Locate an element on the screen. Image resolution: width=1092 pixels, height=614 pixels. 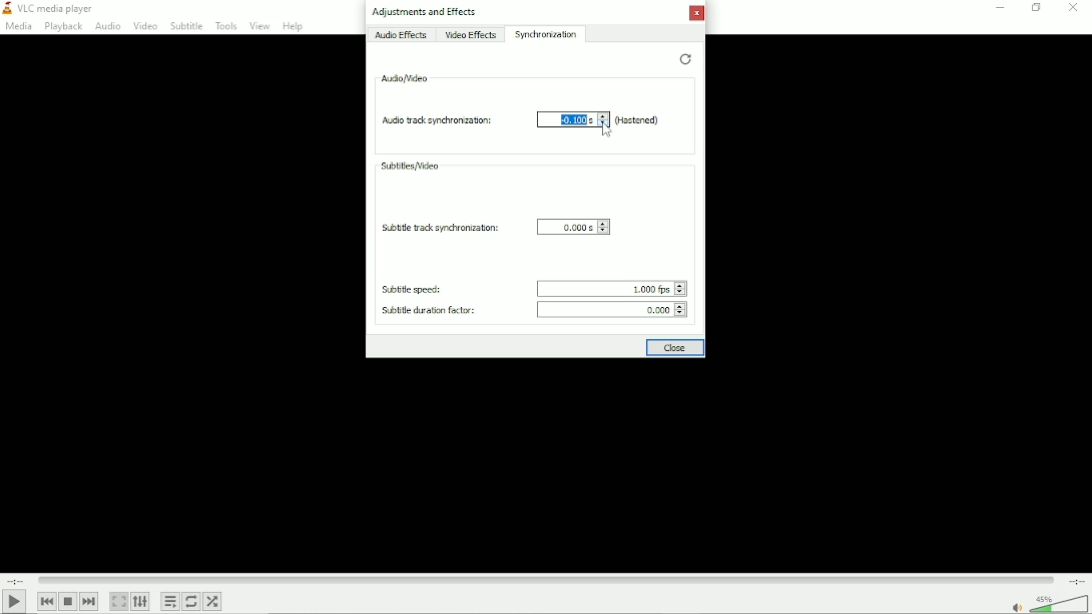
Audio is located at coordinates (106, 26).